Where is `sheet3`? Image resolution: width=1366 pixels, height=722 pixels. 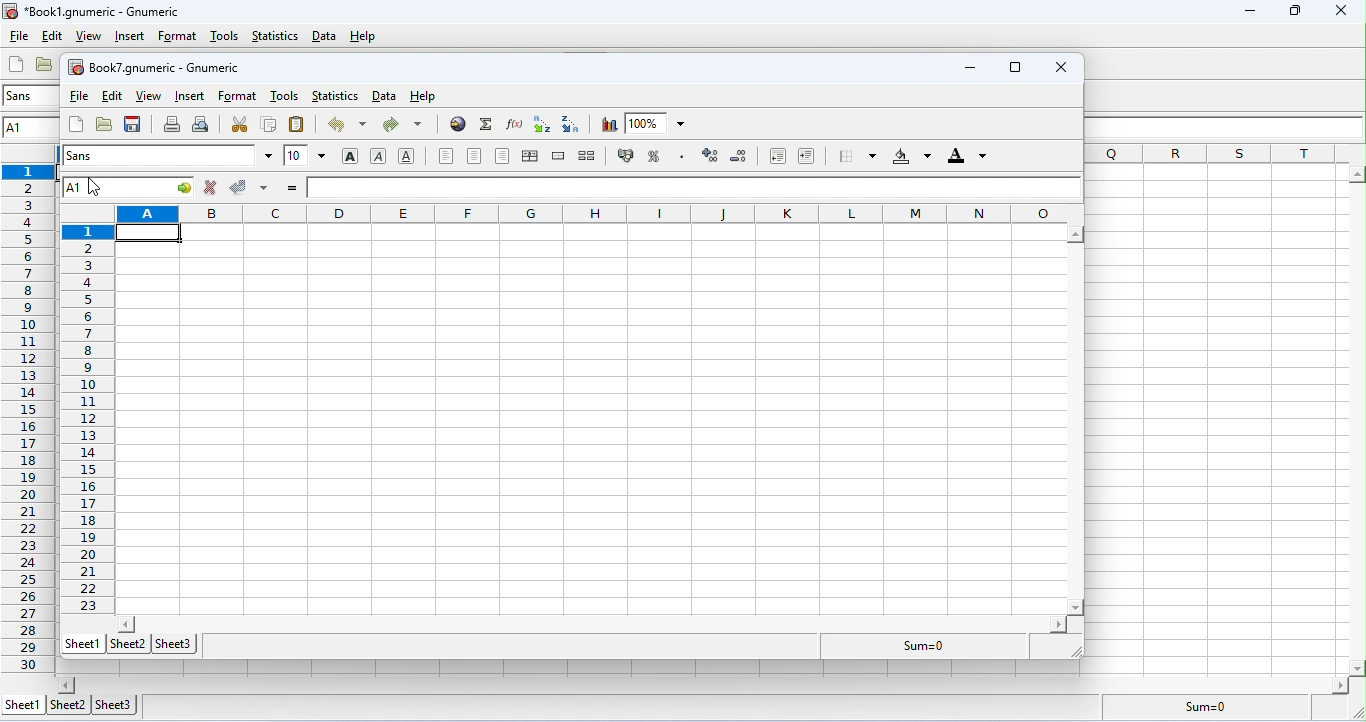
sheet3 is located at coordinates (115, 705).